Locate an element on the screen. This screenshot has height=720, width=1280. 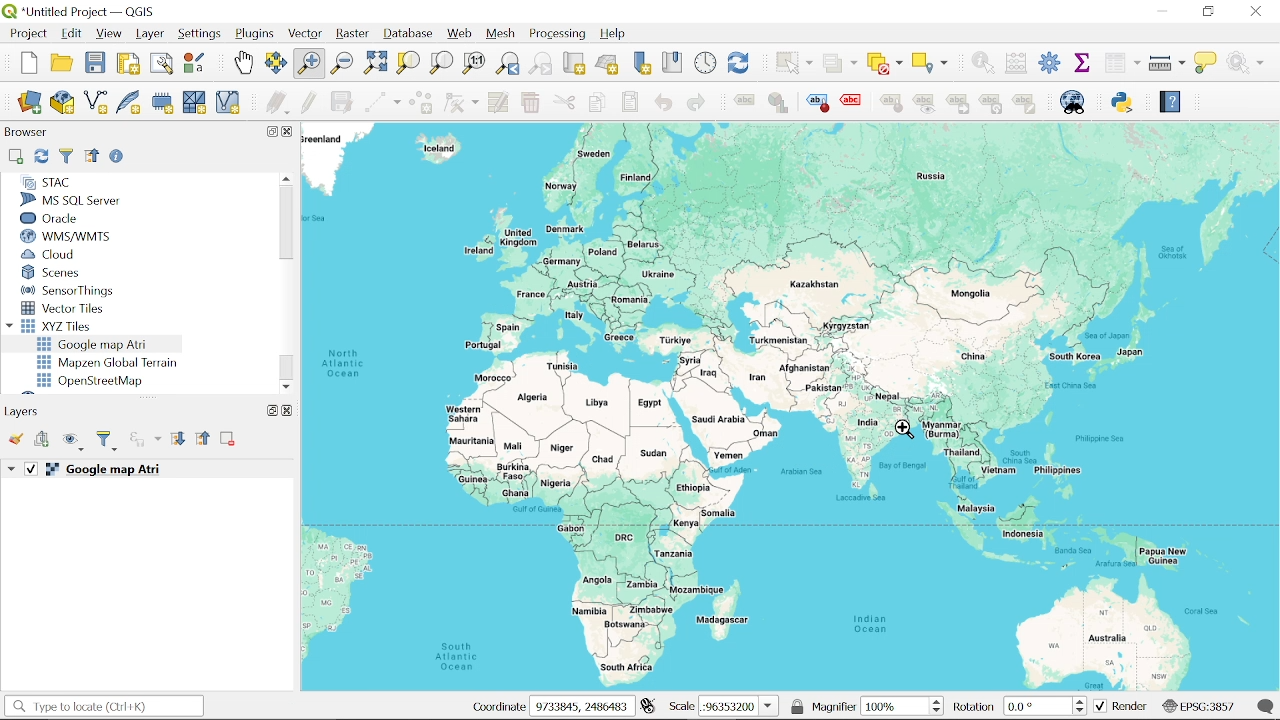
rotation is located at coordinates (975, 708).